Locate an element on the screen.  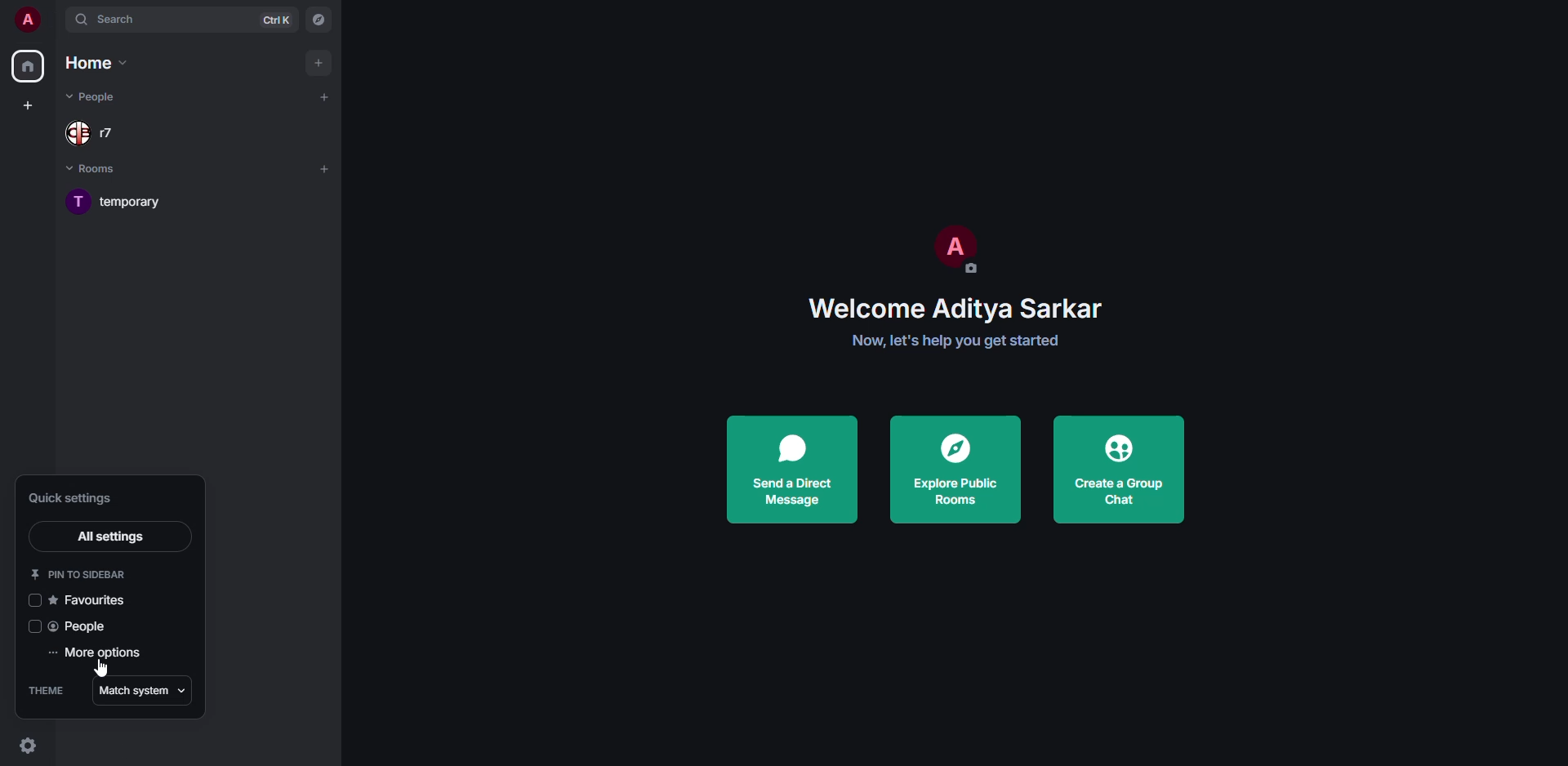
quick settings is located at coordinates (27, 746).